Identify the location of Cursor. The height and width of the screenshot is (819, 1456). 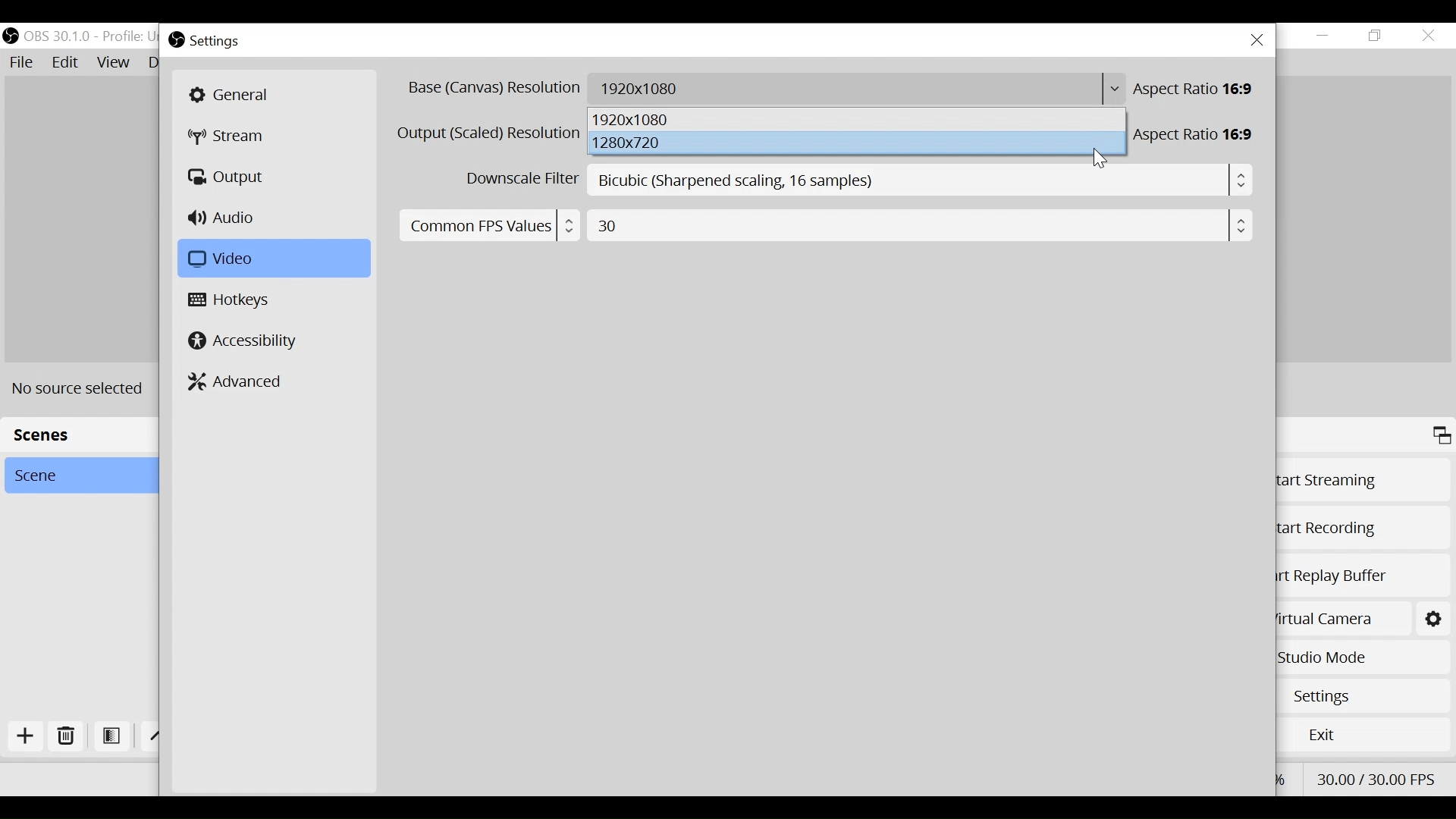
(1103, 158).